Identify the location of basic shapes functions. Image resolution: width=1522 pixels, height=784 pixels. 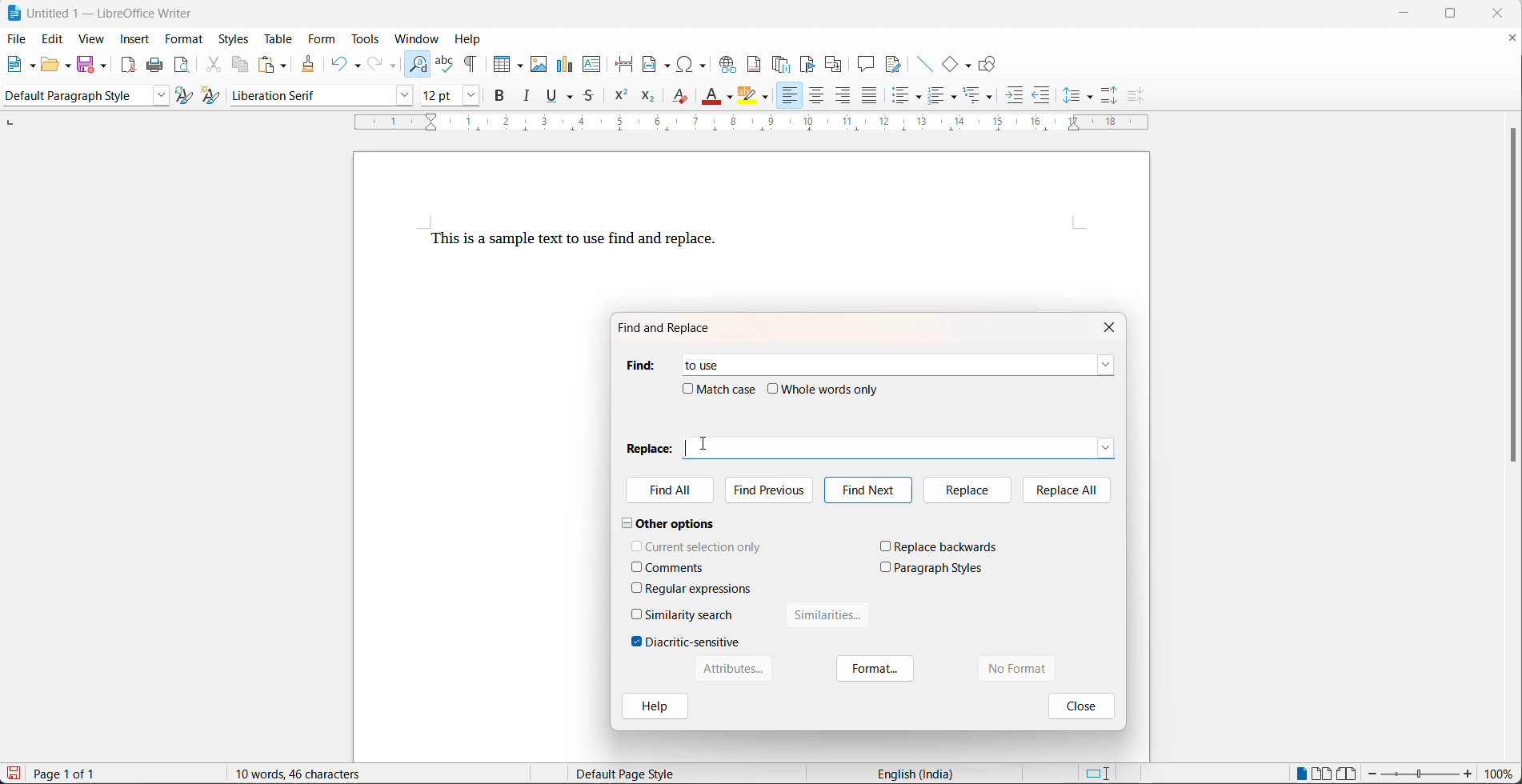
(969, 65).